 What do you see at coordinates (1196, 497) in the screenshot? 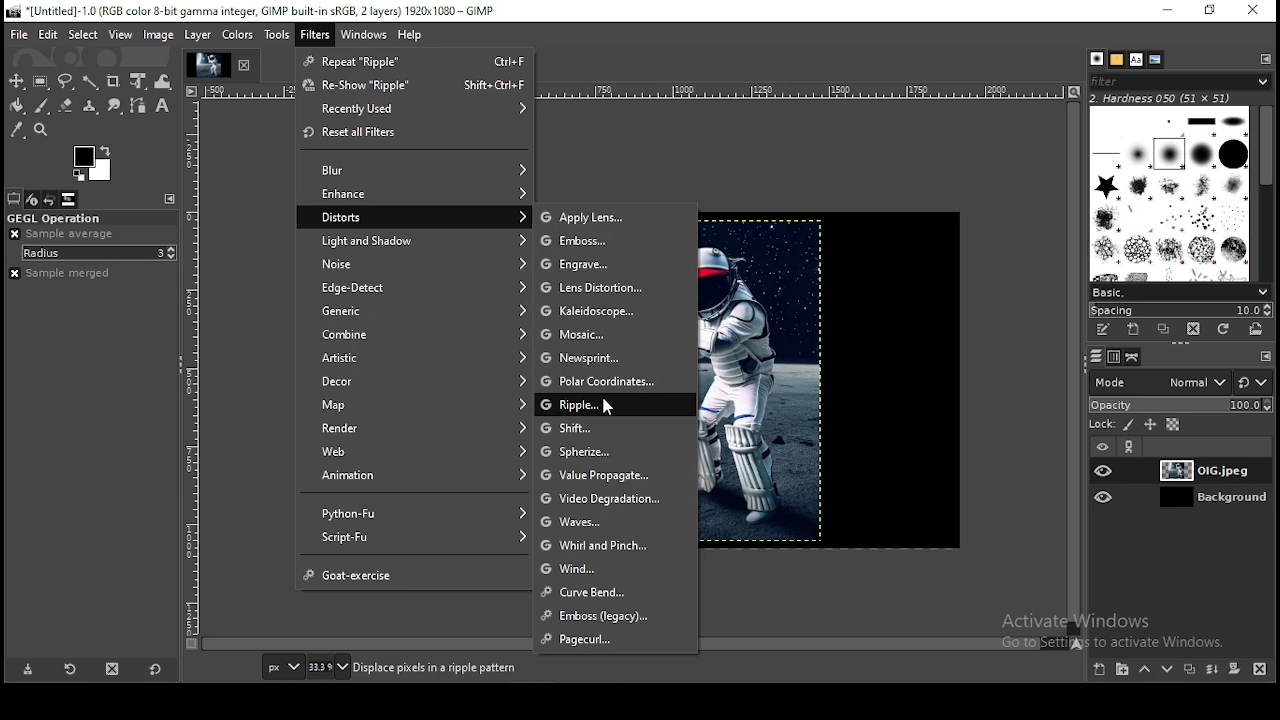
I see `layer 1` at bounding box center [1196, 497].